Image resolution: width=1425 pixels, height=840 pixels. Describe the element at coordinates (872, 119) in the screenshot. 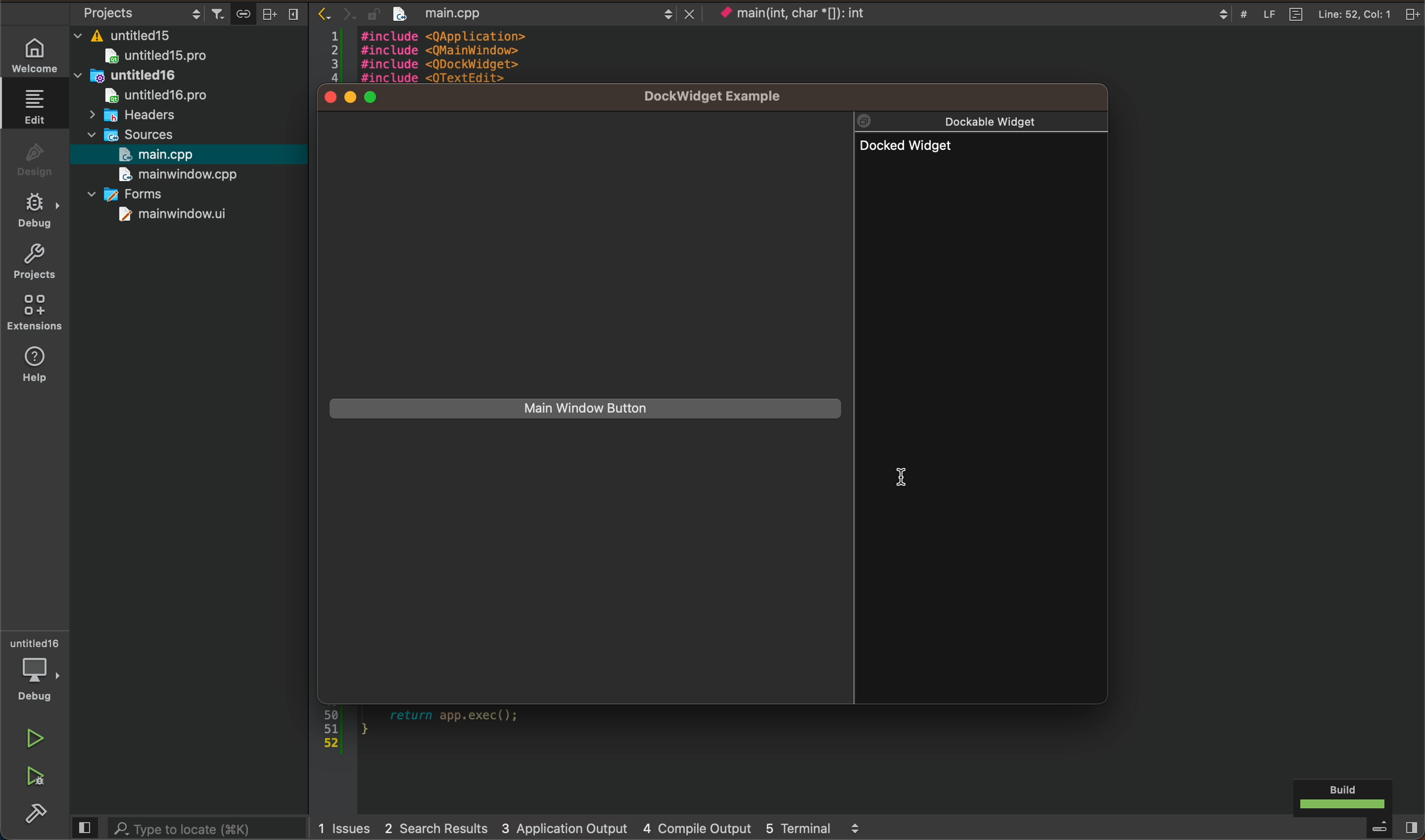

I see `toggle between dock and floating` at that location.